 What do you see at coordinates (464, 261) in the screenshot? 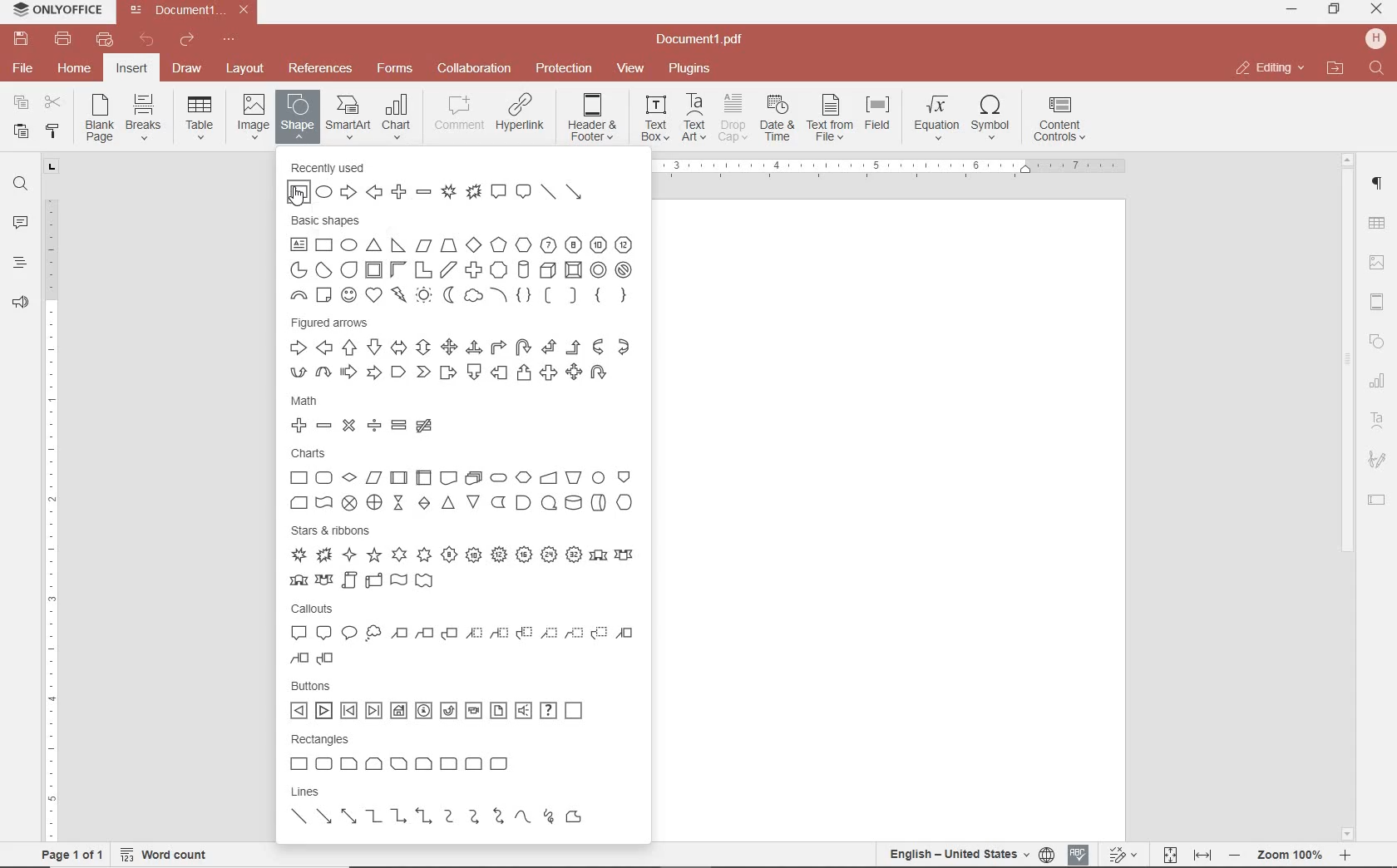
I see `BASIC SHAPES` at bounding box center [464, 261].